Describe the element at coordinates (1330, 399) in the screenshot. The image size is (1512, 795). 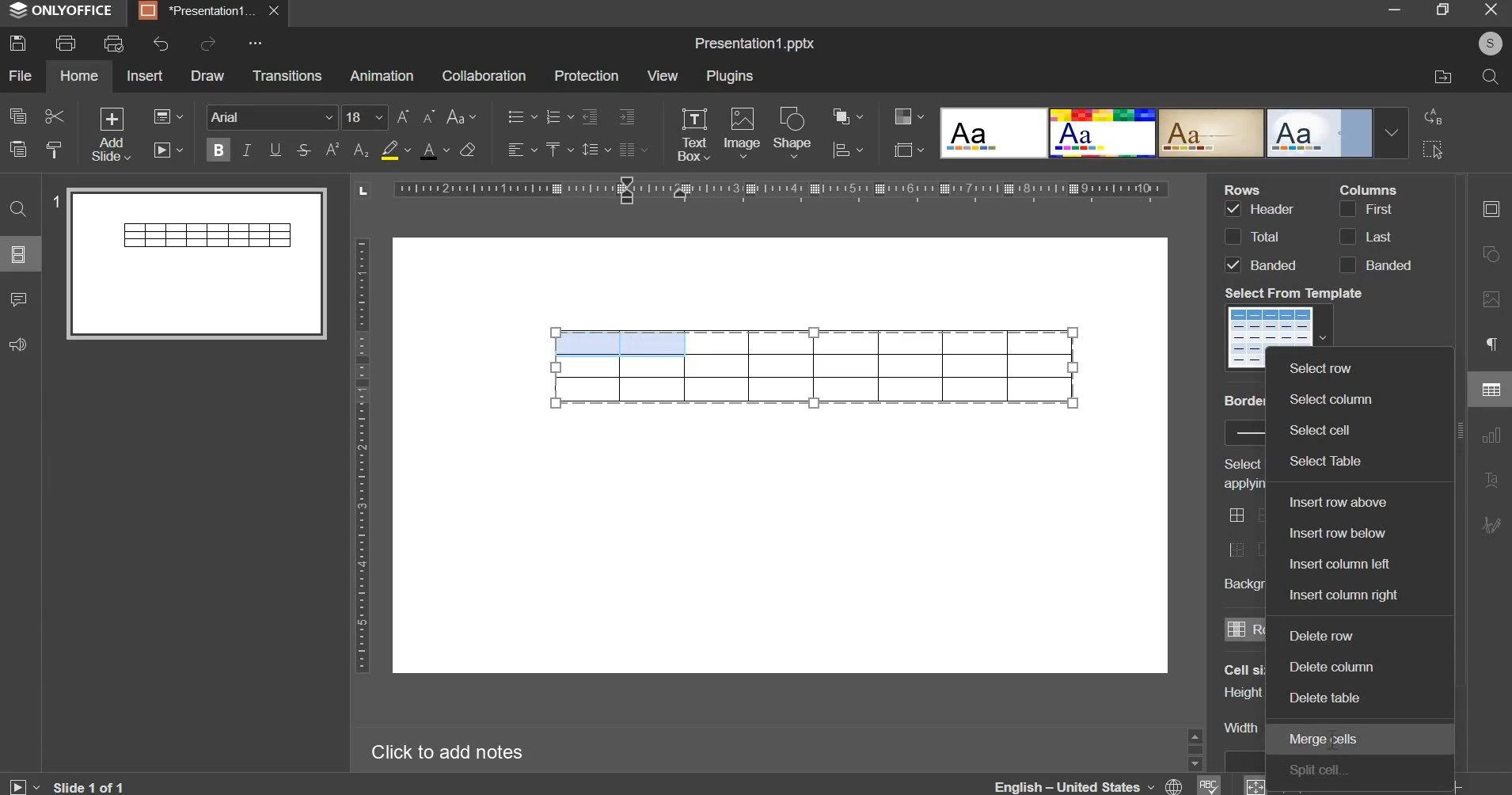
I see `select column` at that location.